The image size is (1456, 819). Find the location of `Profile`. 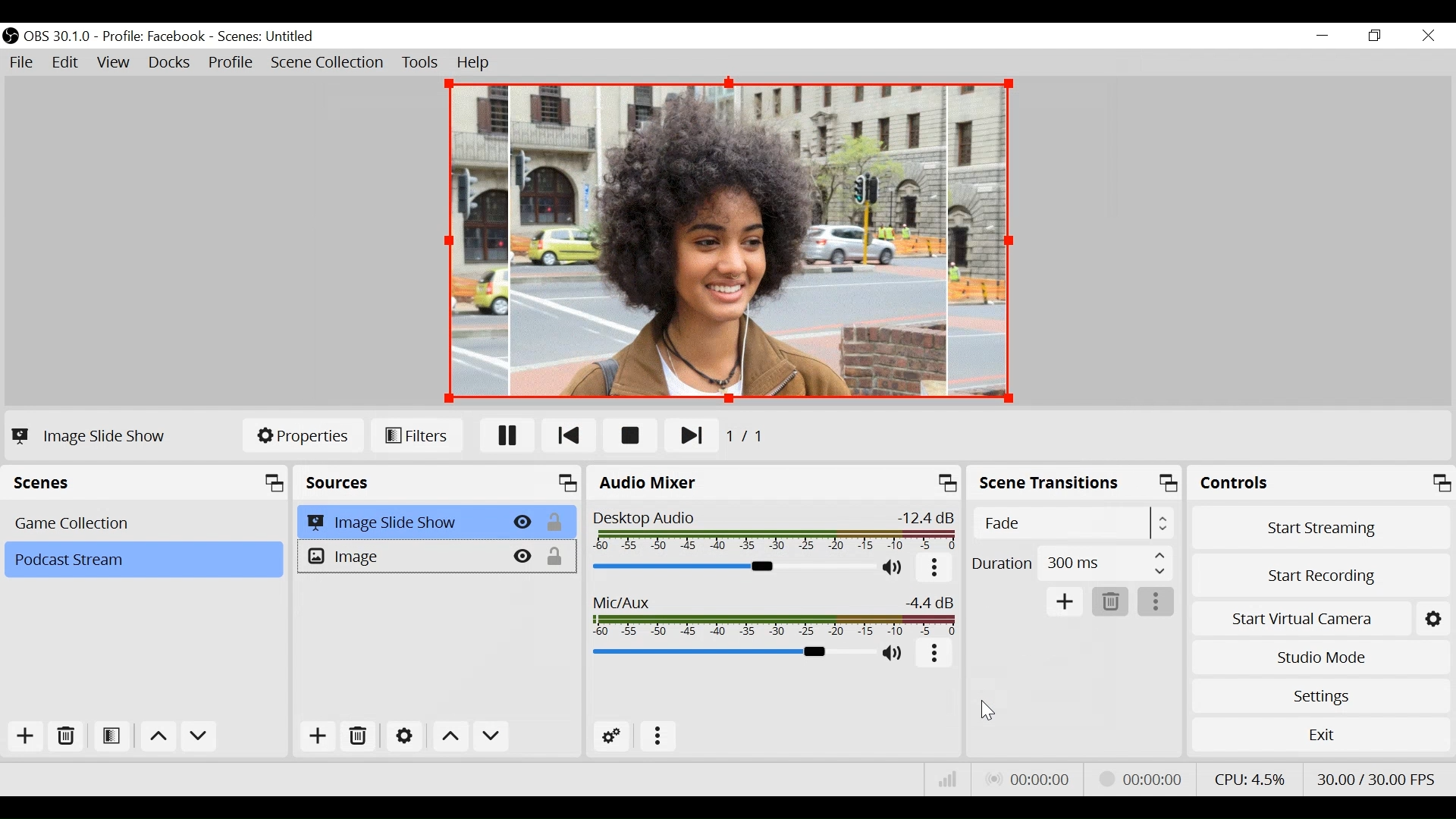

Profile is located at coordinates (154, 36).